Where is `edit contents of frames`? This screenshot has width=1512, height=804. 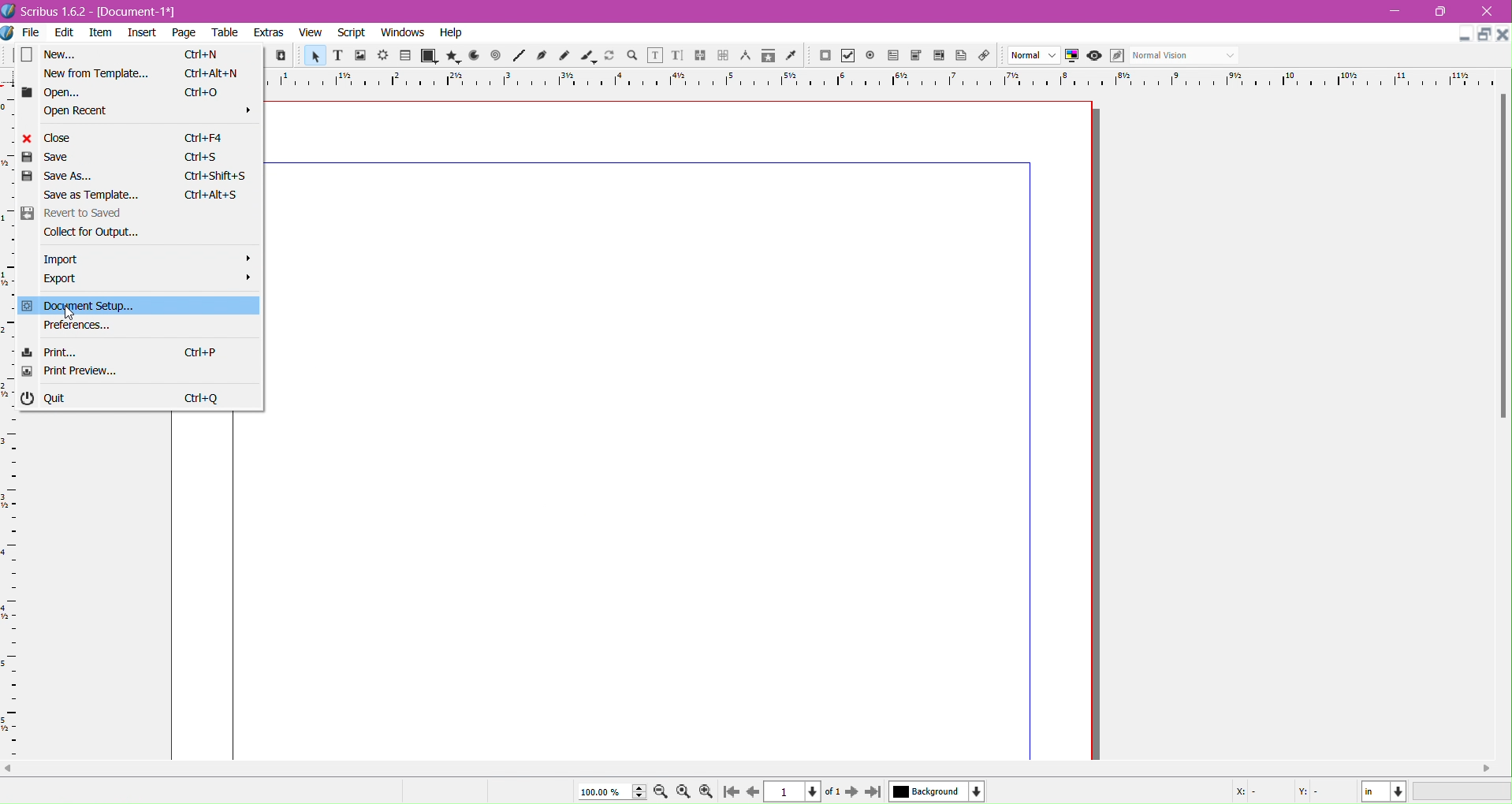
edit contents of frames is located at coordinates (654, 56).